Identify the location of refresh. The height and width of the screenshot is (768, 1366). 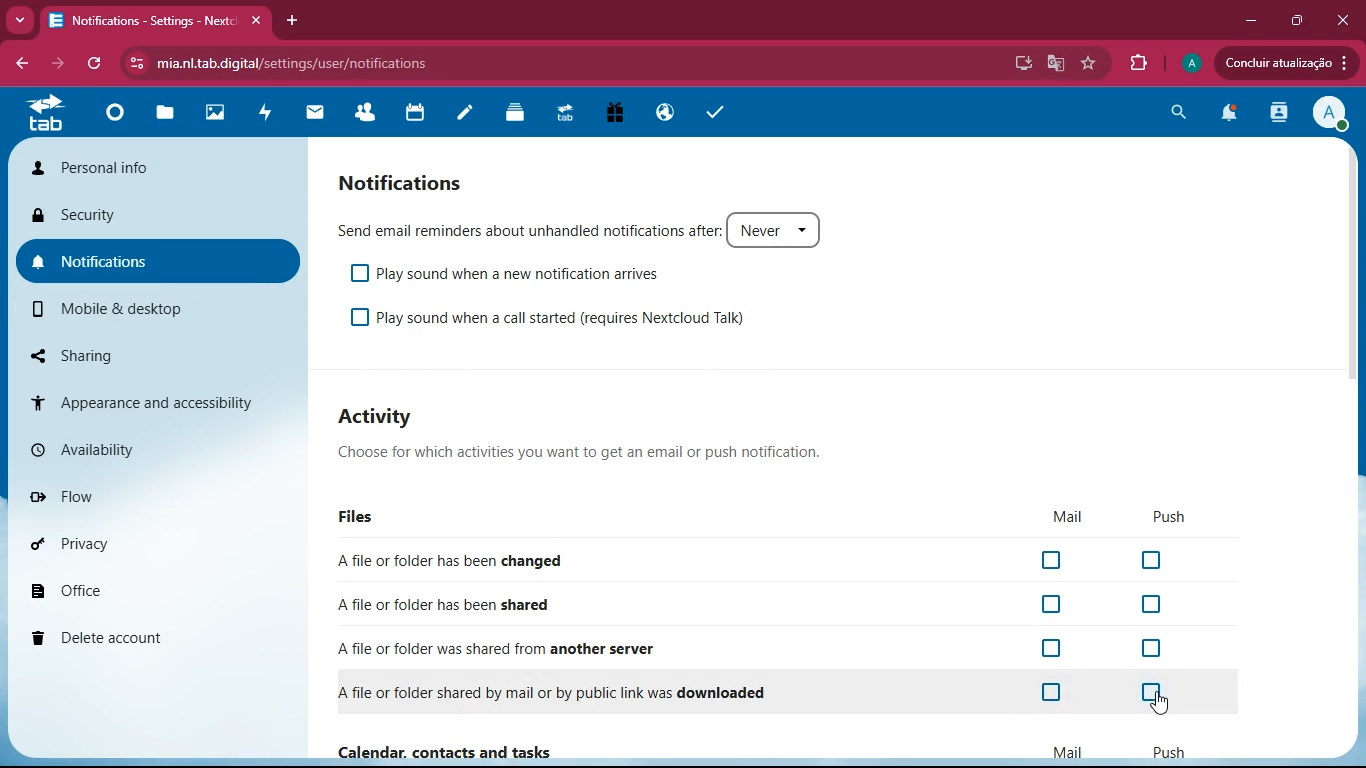
(98, 62).